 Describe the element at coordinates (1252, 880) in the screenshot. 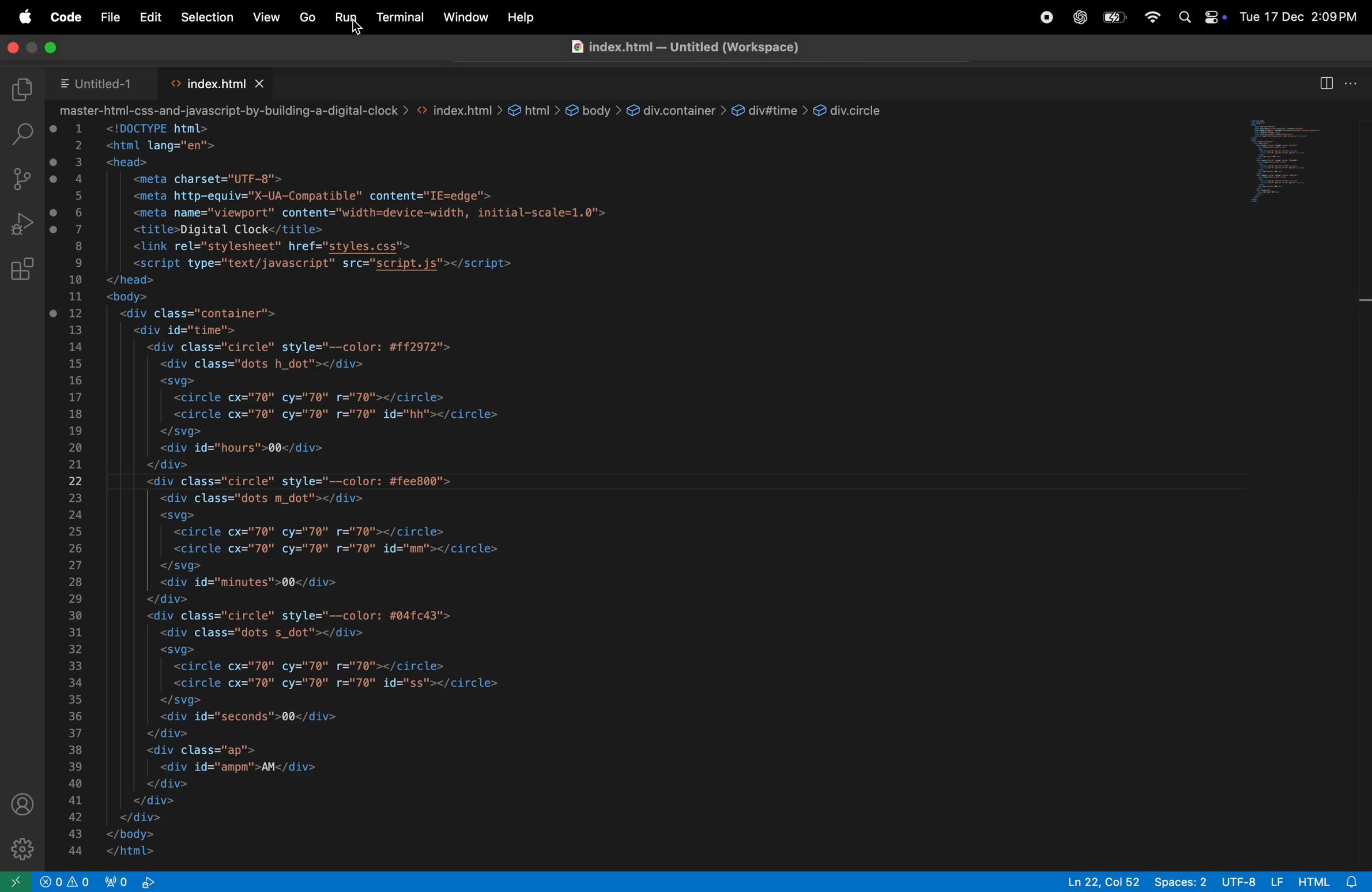

I see `UTF 8 LF` at that location.